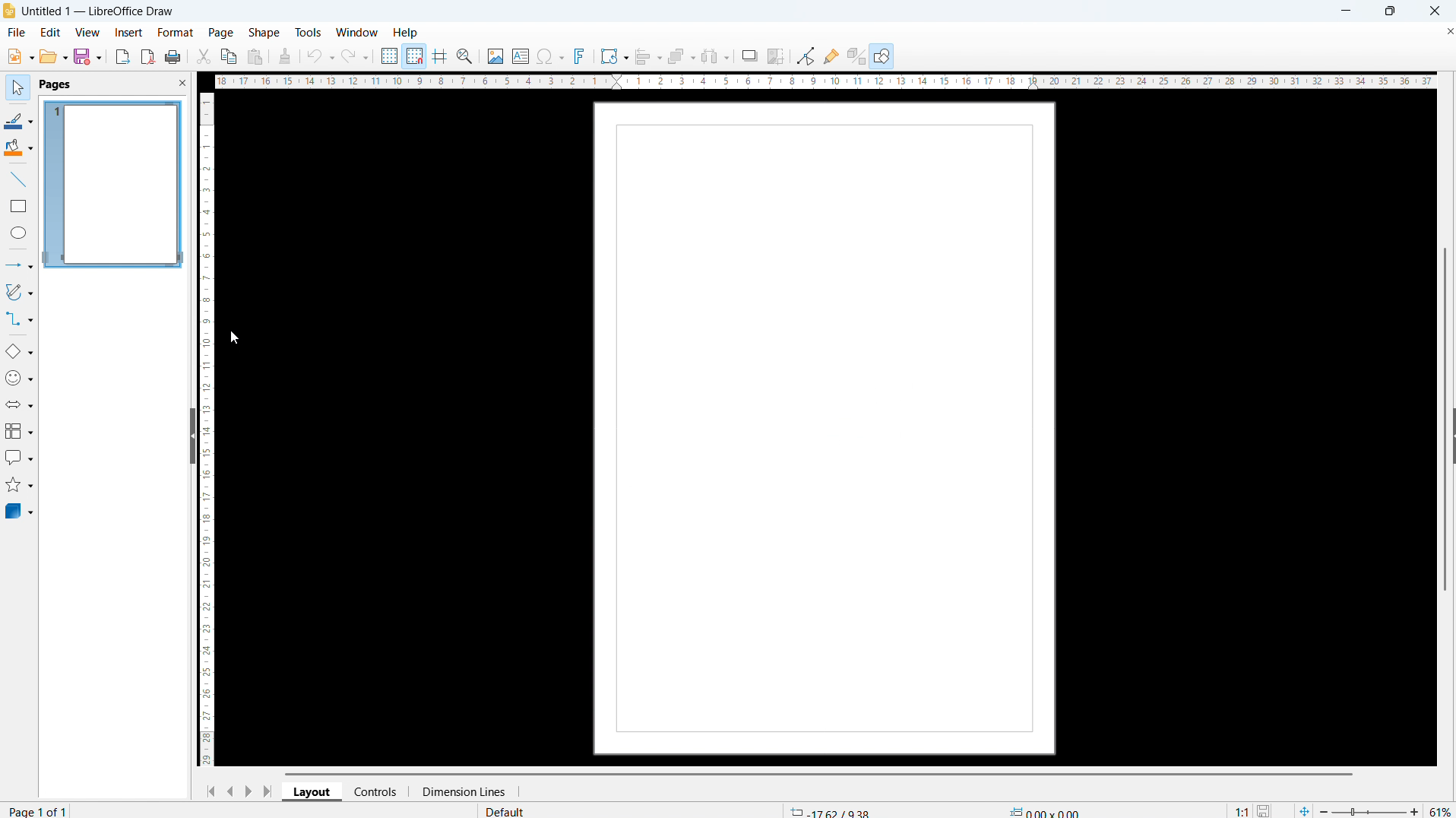 The width and height of the screenshot is (1456, 818). What do you see at coordinates (777, 55) in the screenshot?
I see `crop` at bounding box center [777, 55].